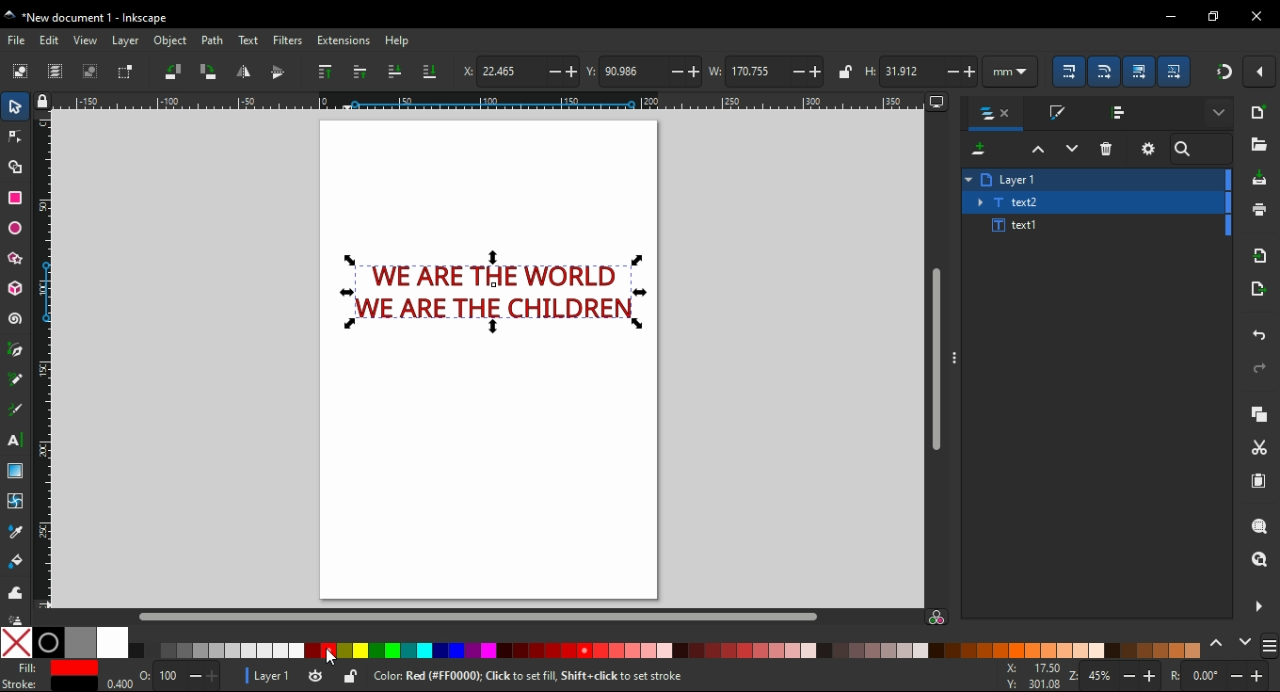 This screenshot has height=692, width=1280. I want to click on units, so click(1011, 71).